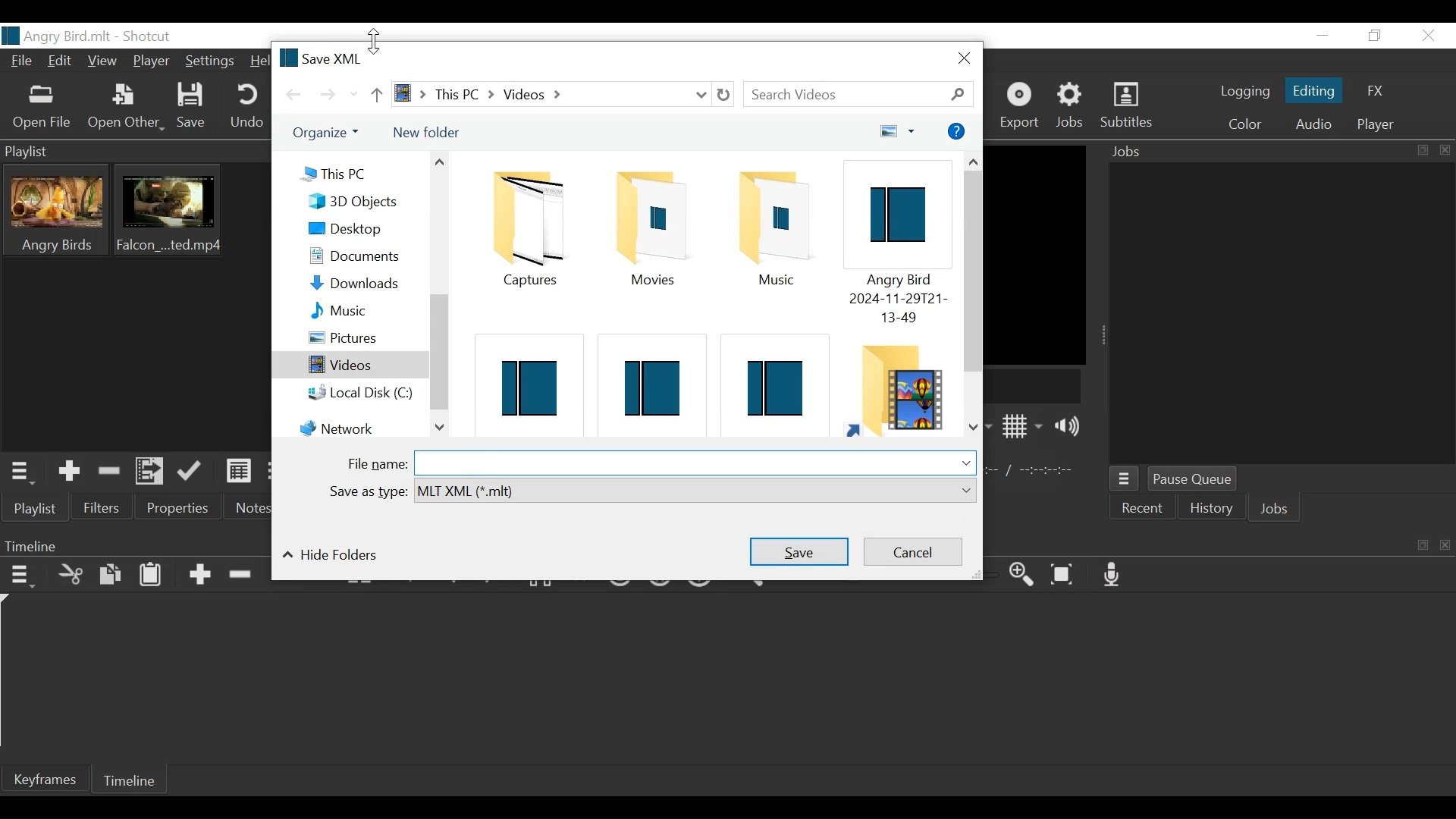 This screenshot has width=1456, height=819. I want to click on Local Disk (C:), so click(366, 394).